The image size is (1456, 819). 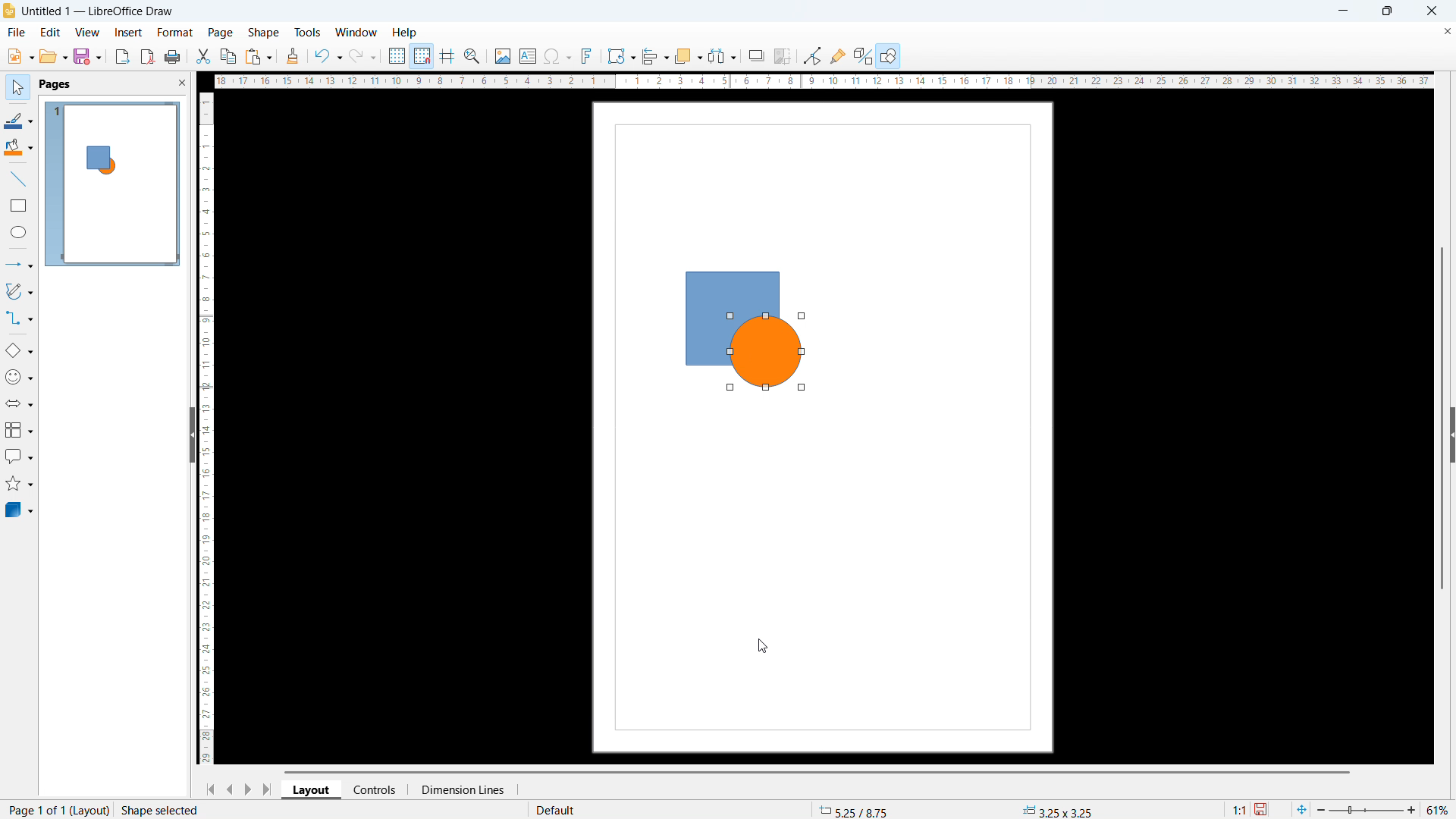 What do you see at coordinates (405, 32) in the screenshot?
I see `help ` at bounding box center [405, 32].